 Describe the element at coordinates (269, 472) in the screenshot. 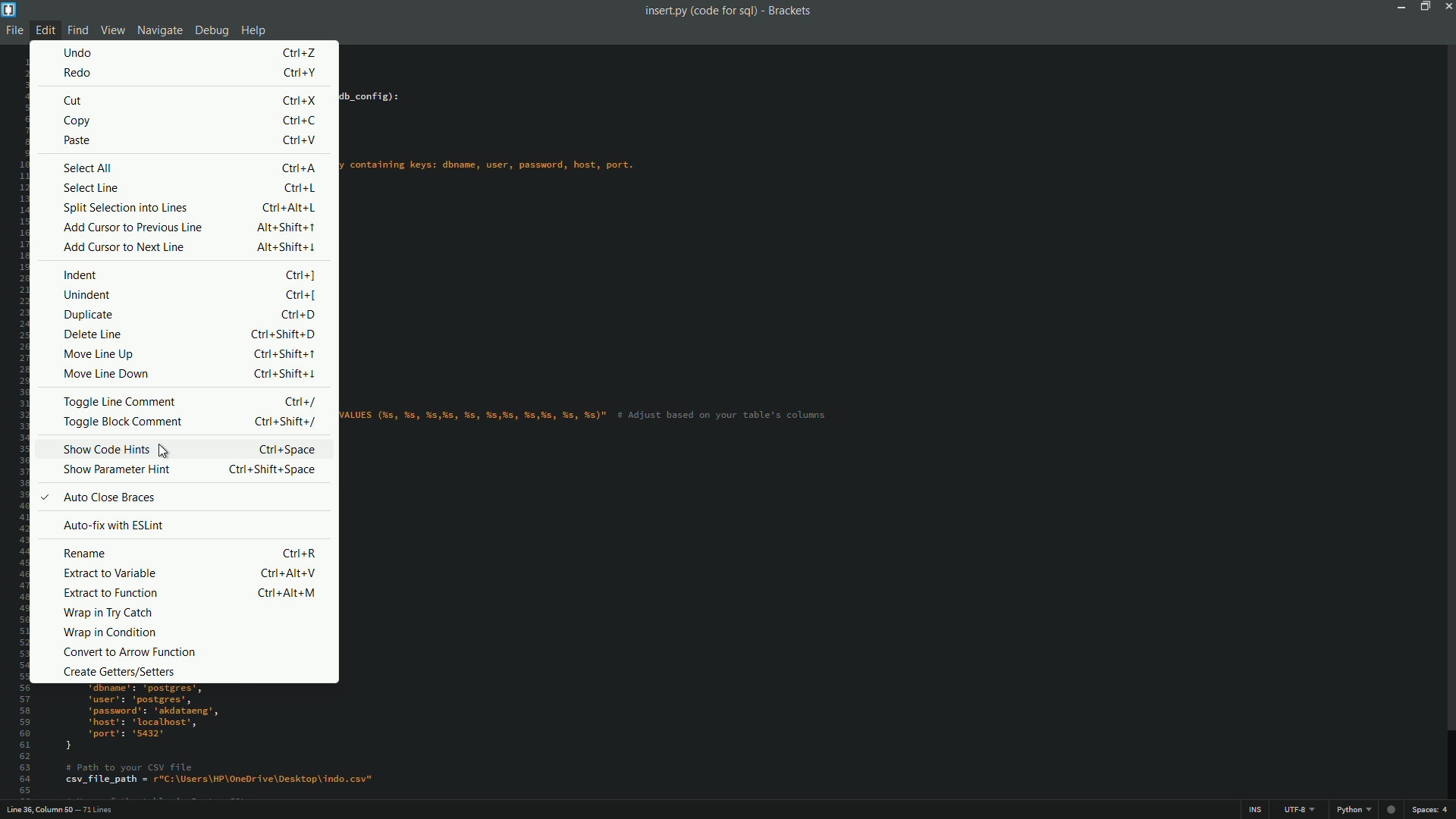

I see `keyboard shortcut` at that location.